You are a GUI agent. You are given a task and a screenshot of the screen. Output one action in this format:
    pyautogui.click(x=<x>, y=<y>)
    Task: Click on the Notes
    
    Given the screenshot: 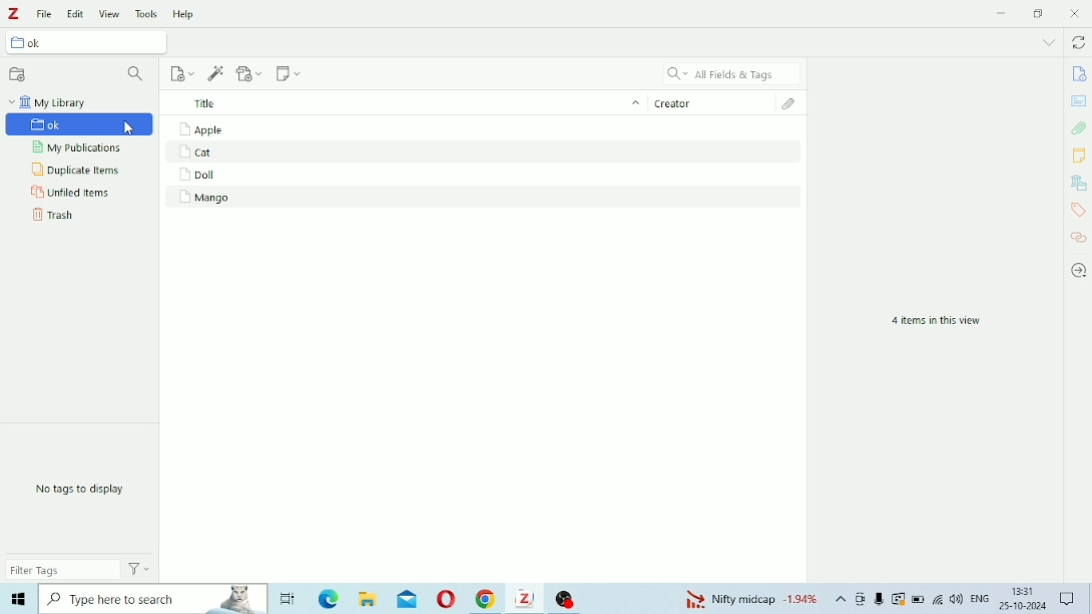 What is the action you would take?
    pyautogui.click(x=1079, y=155)
    